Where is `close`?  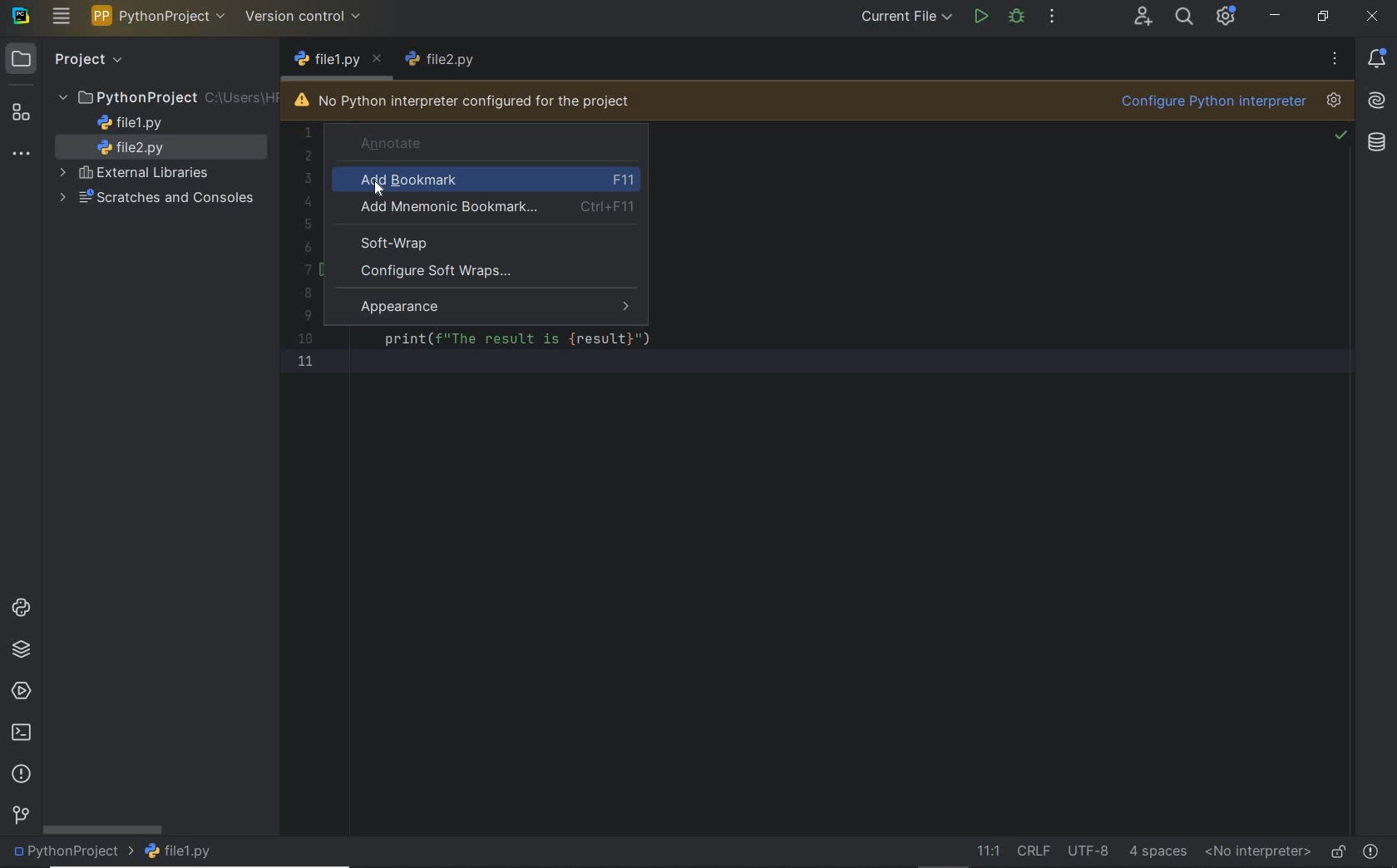 close is located at coordinates (1371, 16).